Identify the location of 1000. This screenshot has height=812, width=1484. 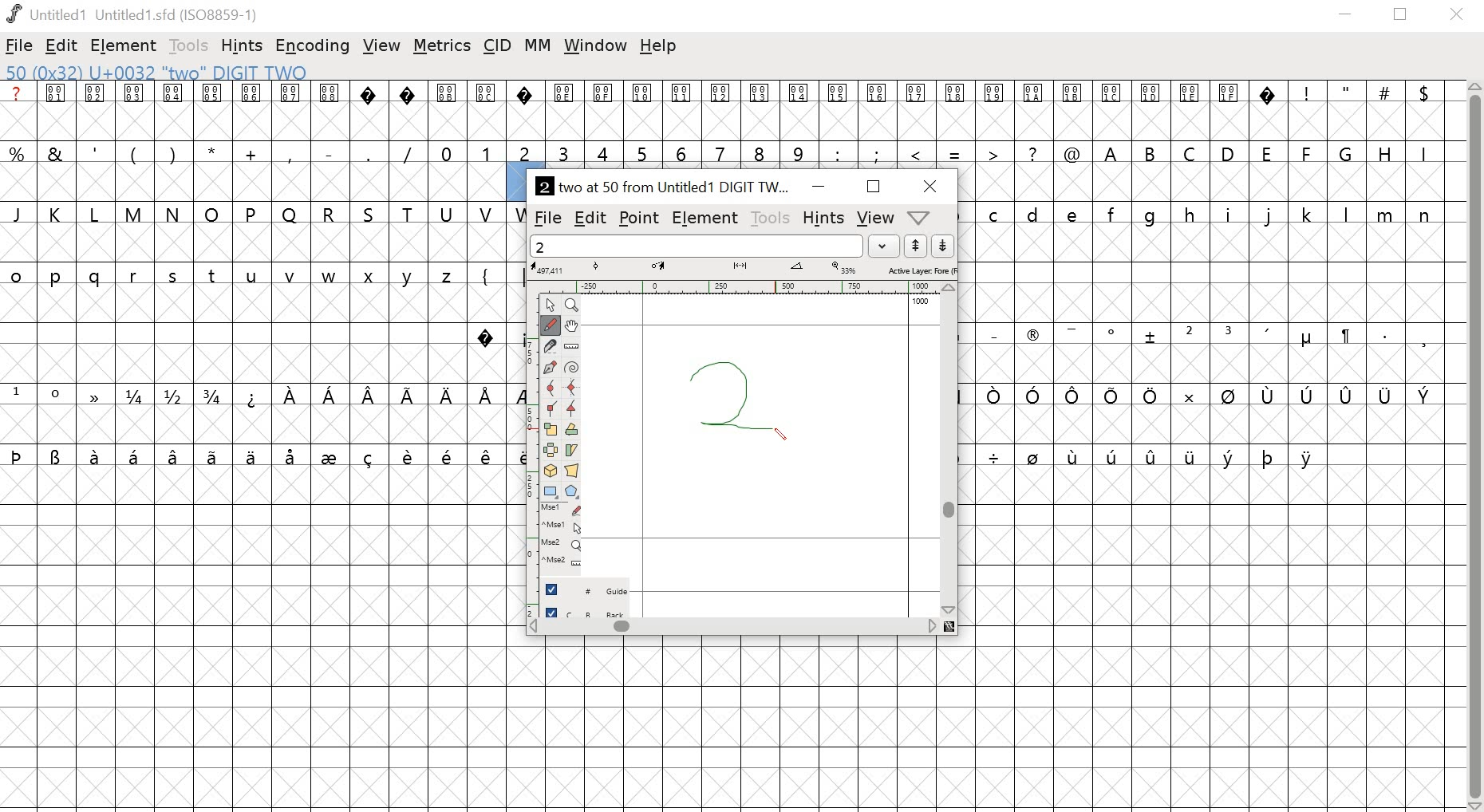
(921, 304).